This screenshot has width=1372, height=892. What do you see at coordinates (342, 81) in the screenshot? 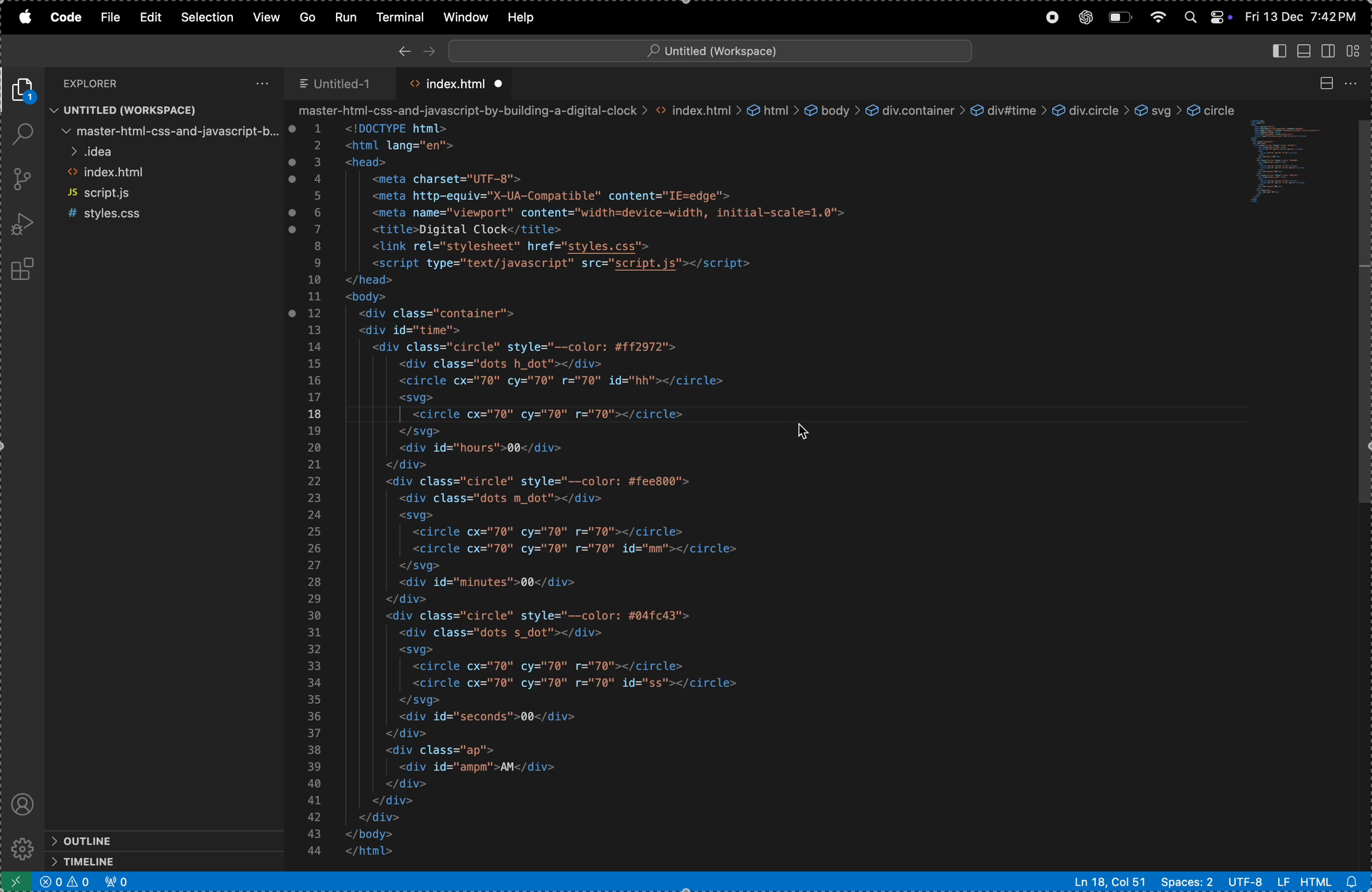
I see `untitled 1` at bounding box center [342, 81].